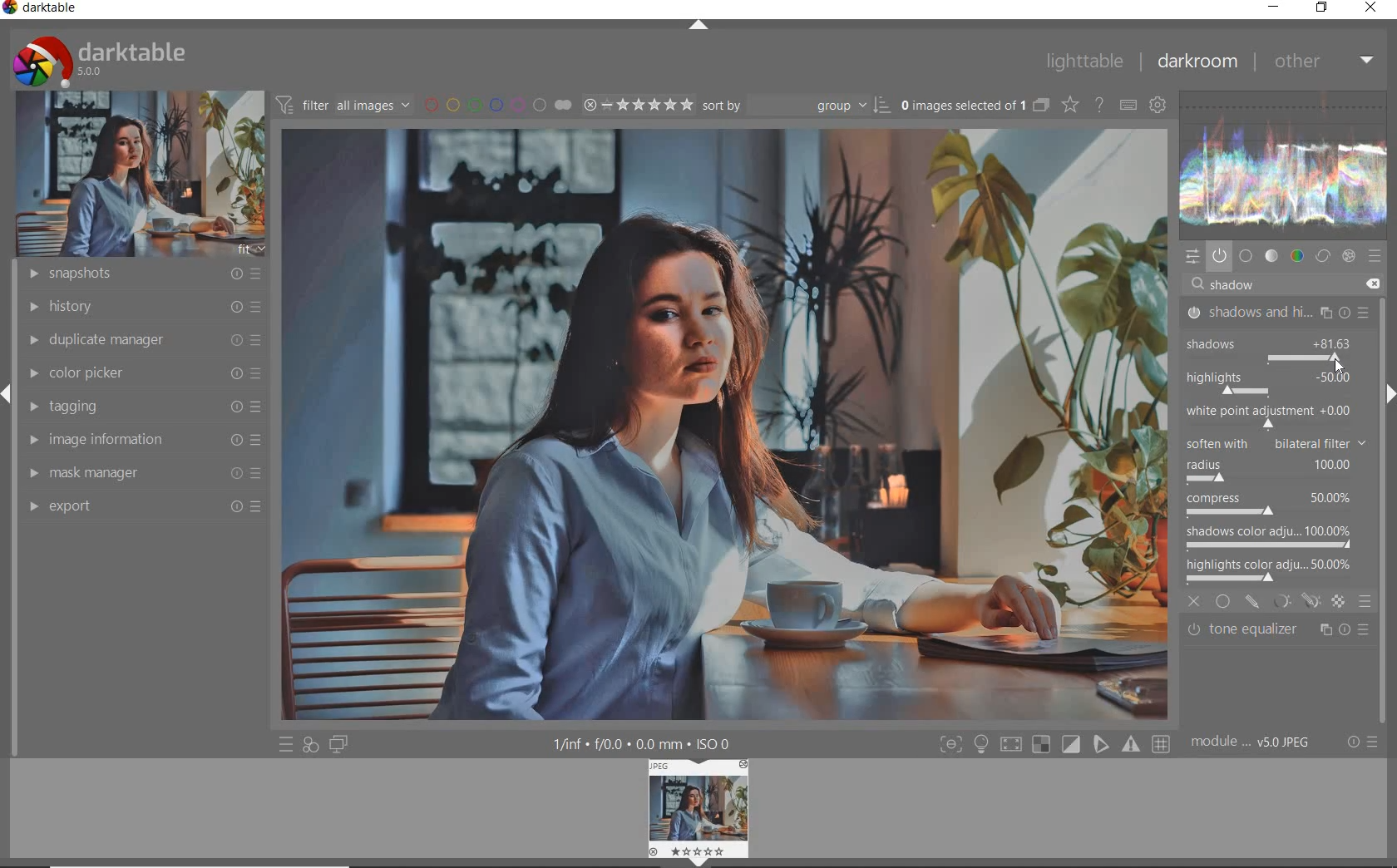 This screenshot has width=1397, height=868. What do you see at coordinates (141, 340) in the screenshot?
I see `duplicate manager` at bounding box center [141, 340].